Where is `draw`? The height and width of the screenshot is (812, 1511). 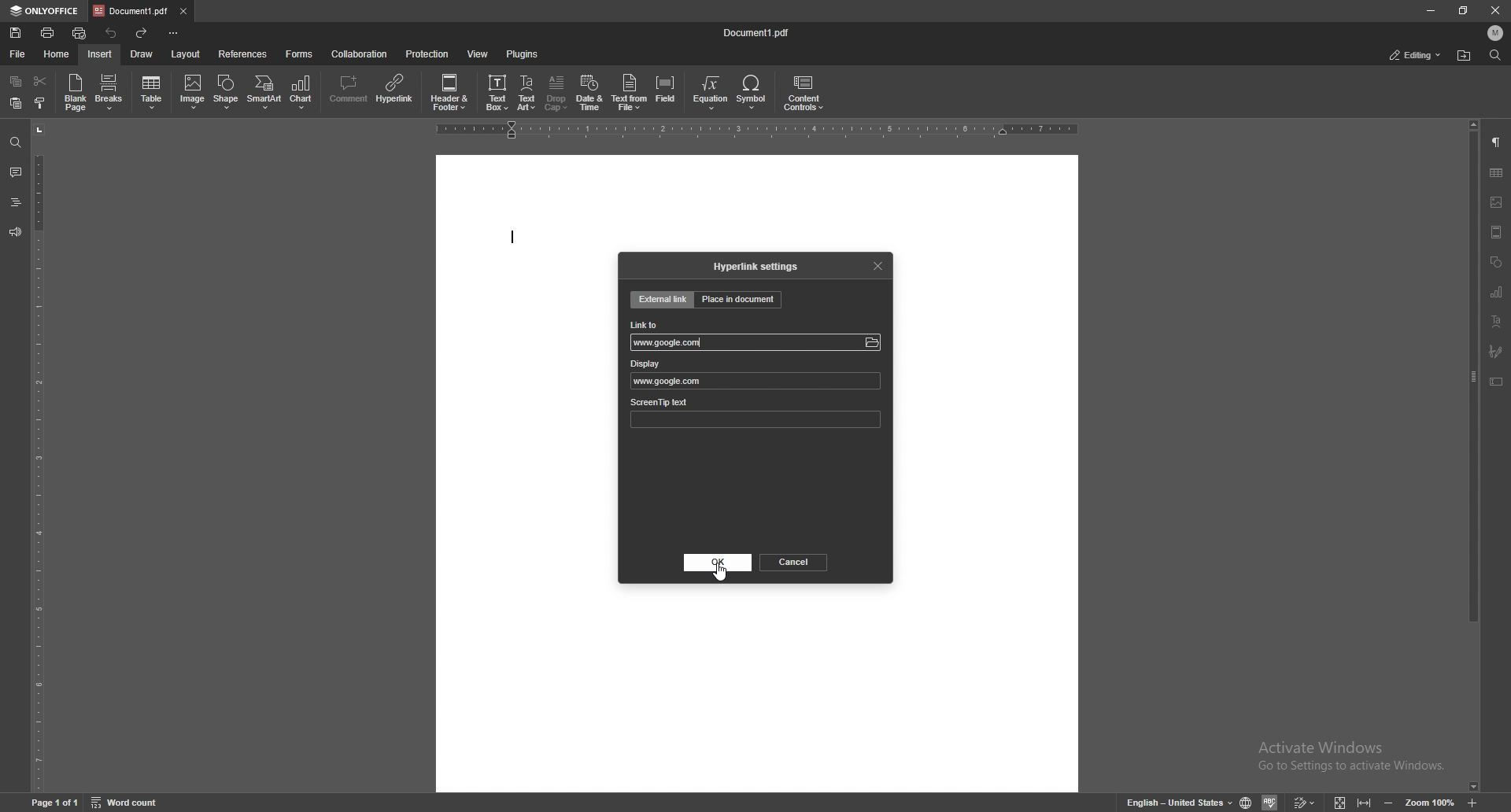 draw is located at coordinates (142, 54).